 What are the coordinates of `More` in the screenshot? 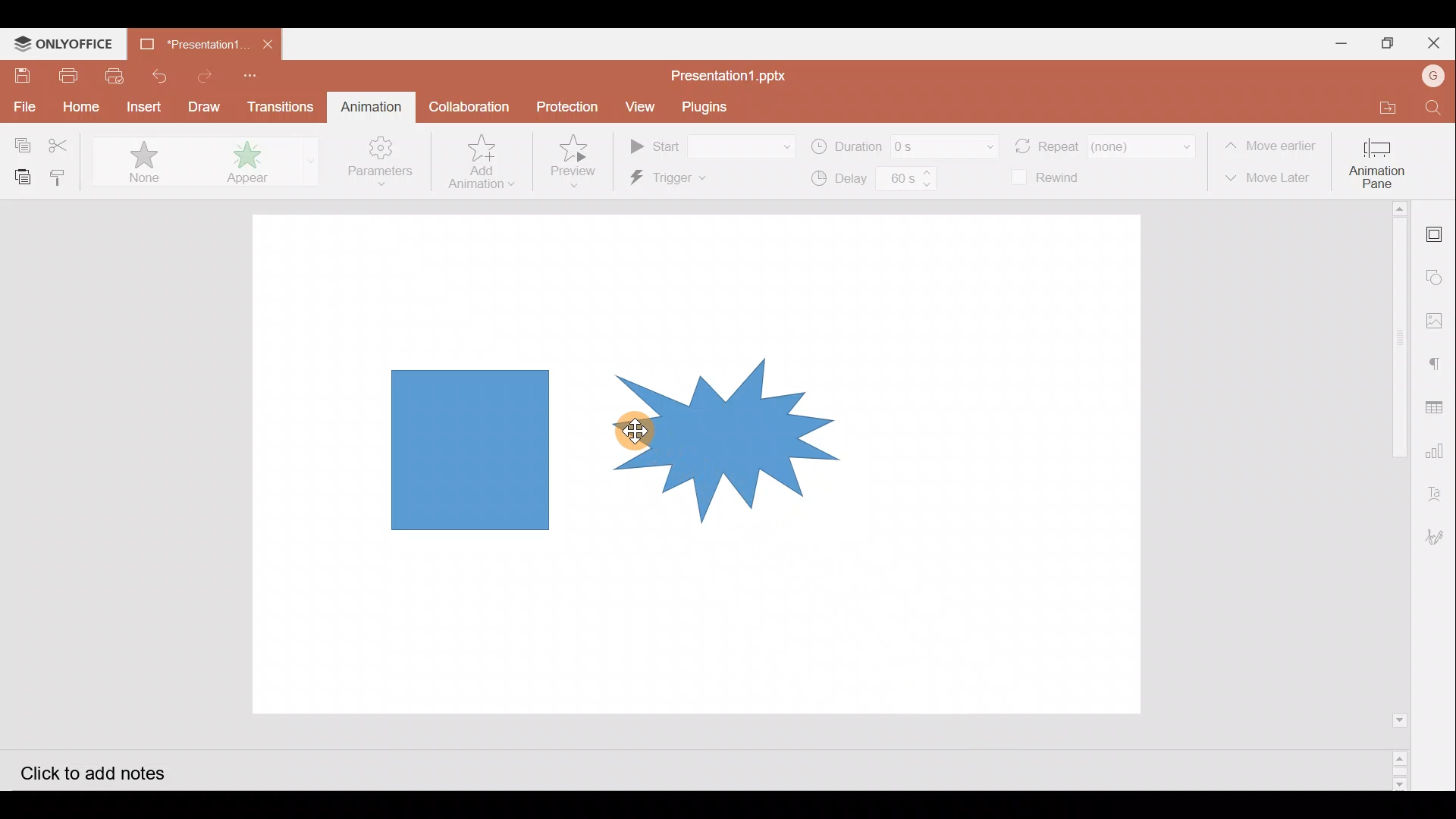 It's located at (308, 162).